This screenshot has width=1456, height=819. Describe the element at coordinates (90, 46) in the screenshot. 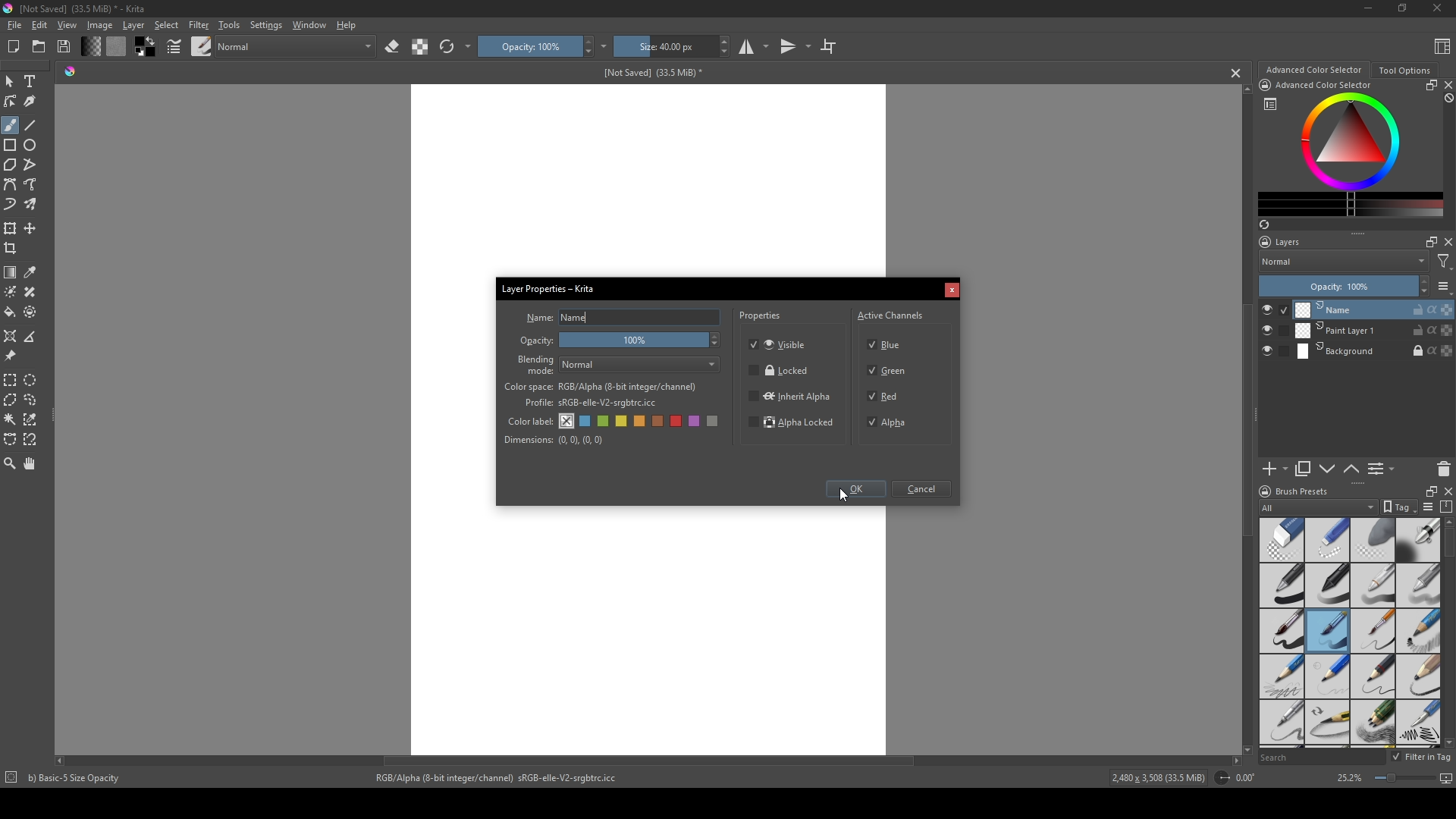

I see `change shade` at that location.